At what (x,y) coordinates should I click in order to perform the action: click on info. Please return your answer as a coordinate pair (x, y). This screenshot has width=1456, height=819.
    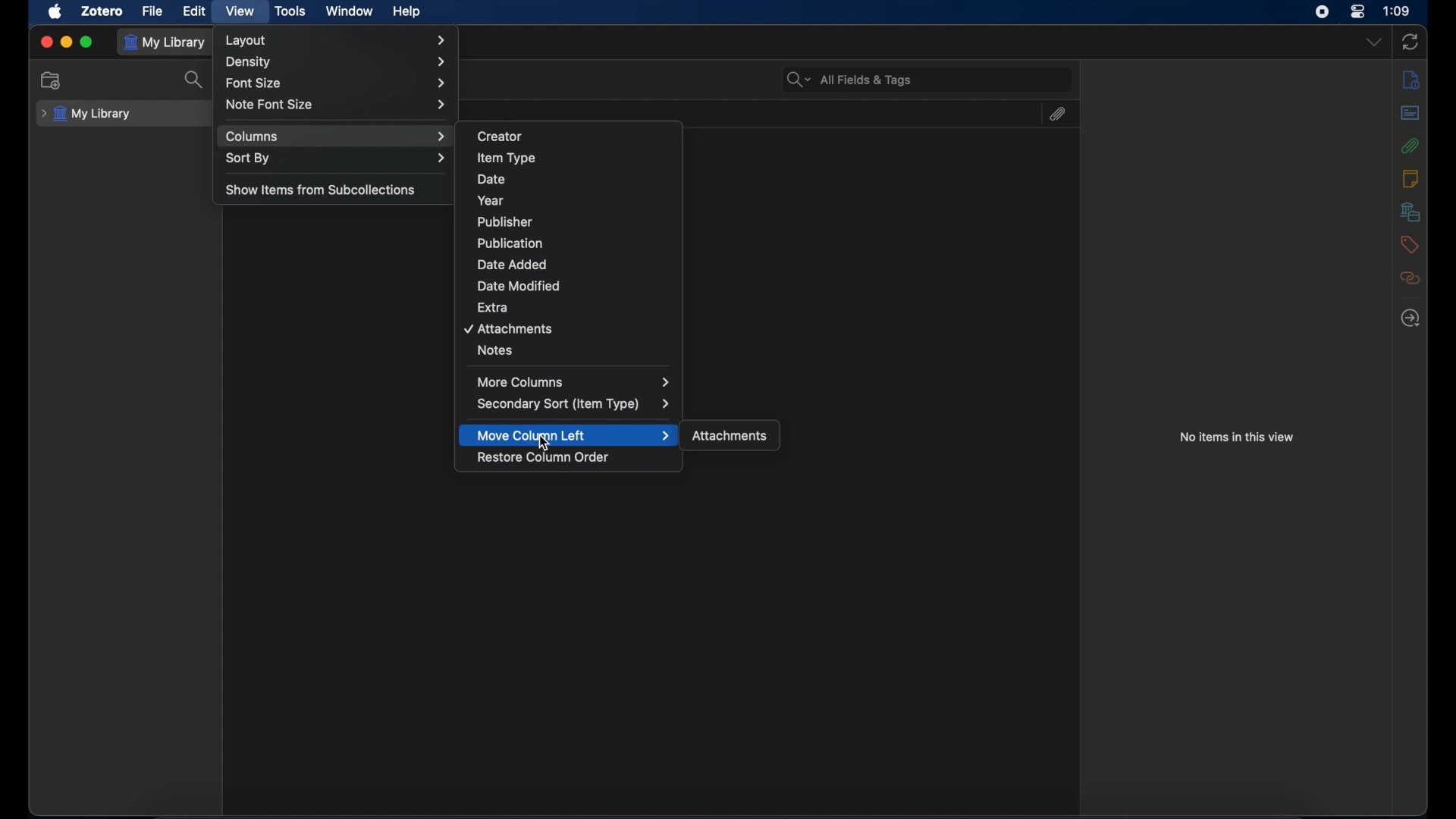
    Looking at the image, I should click on (1412, 80).